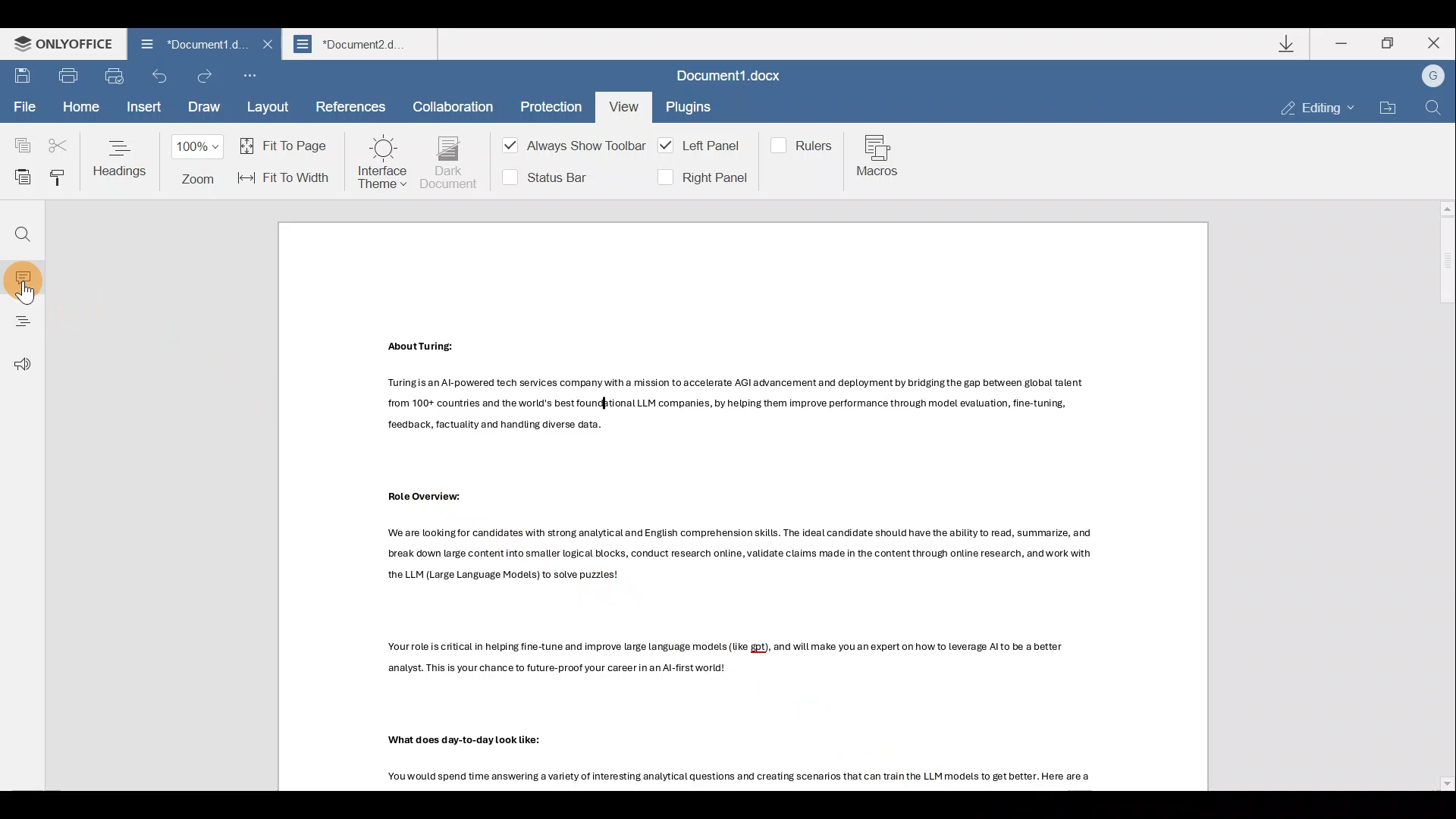 This screenshot has height=819, width=1456. Describe the element at coordinates (1318, 109) in the screenshot. I see `Editing mode` at that location.